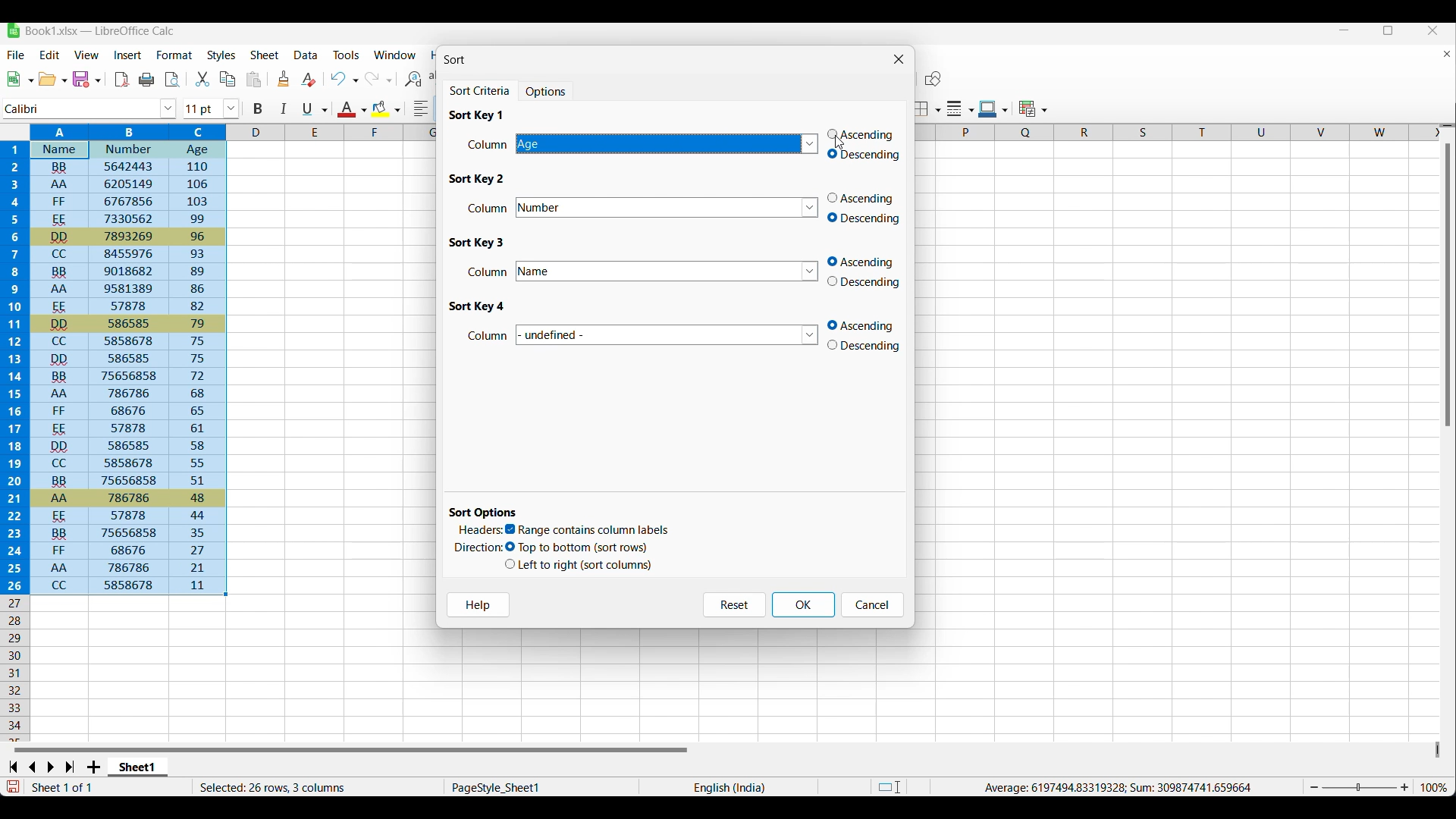 The width and height of the screenshot is (1456, 819). I want to click on Print, so click(146, 80).